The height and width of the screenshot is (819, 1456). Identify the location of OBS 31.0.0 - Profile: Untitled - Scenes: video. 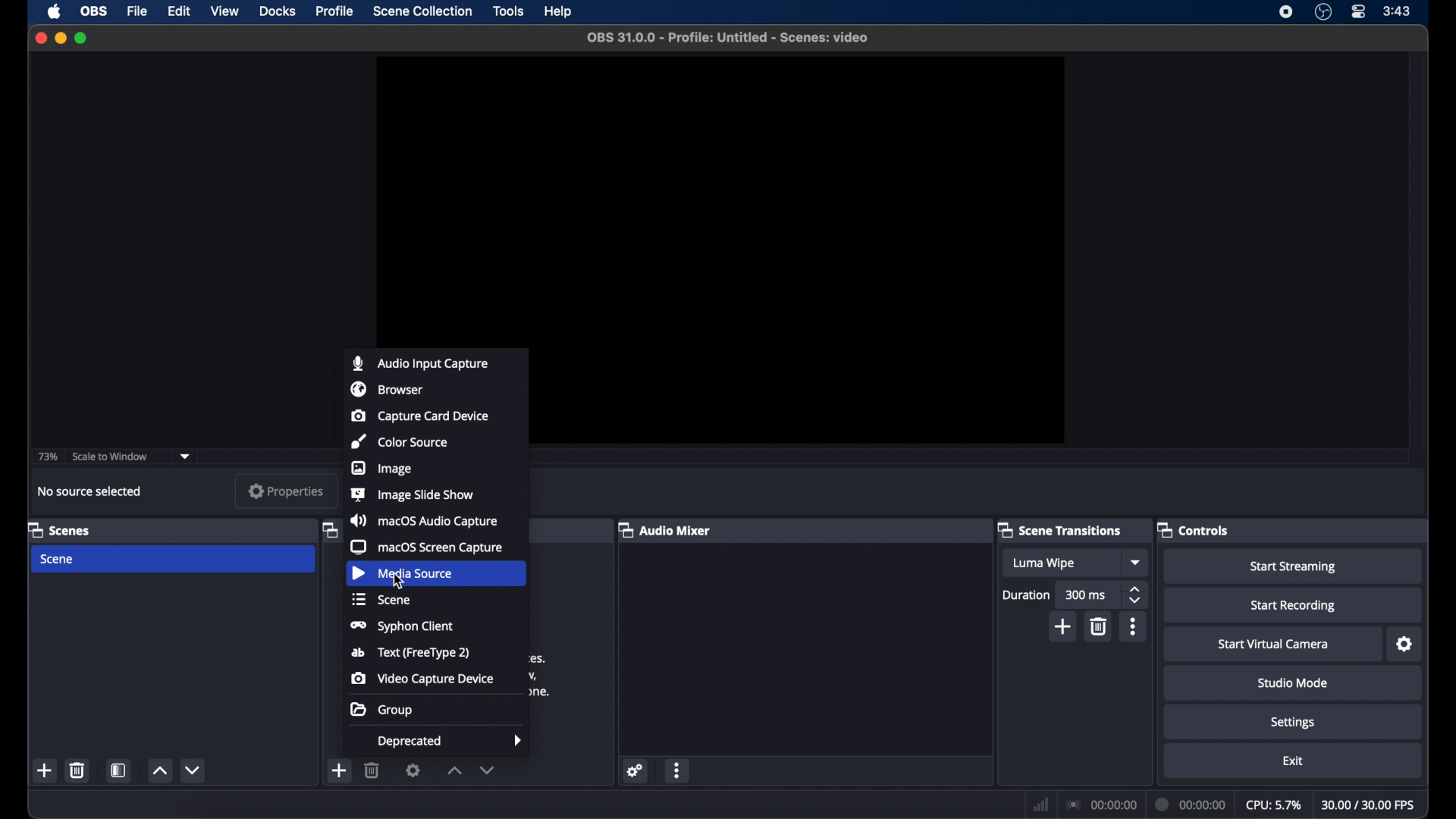
(730, 37).